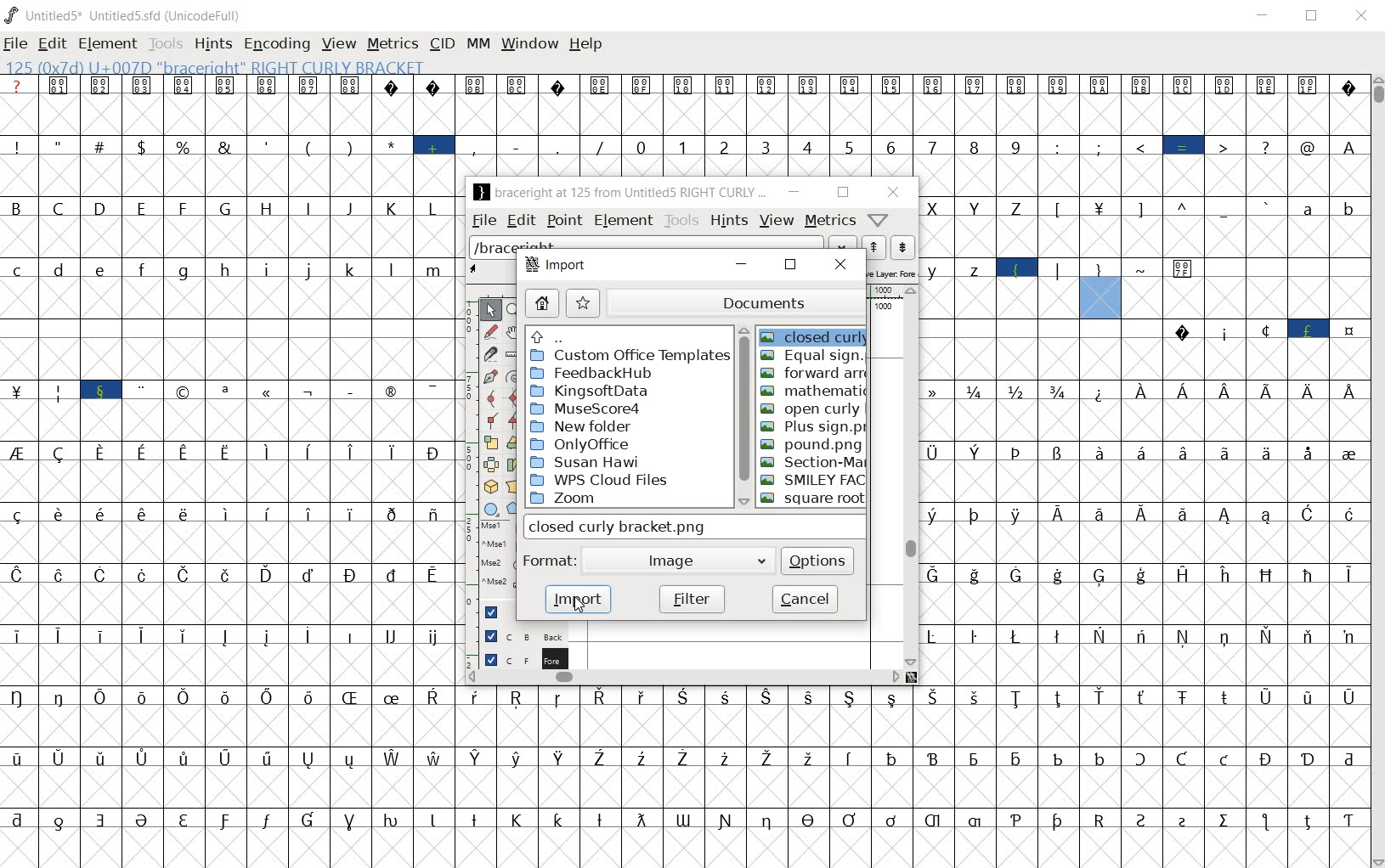 This screenshot has width=1385, height=868. Describe the element at coordinates (478, 45) in the screenshot. I see `MM` at that location.